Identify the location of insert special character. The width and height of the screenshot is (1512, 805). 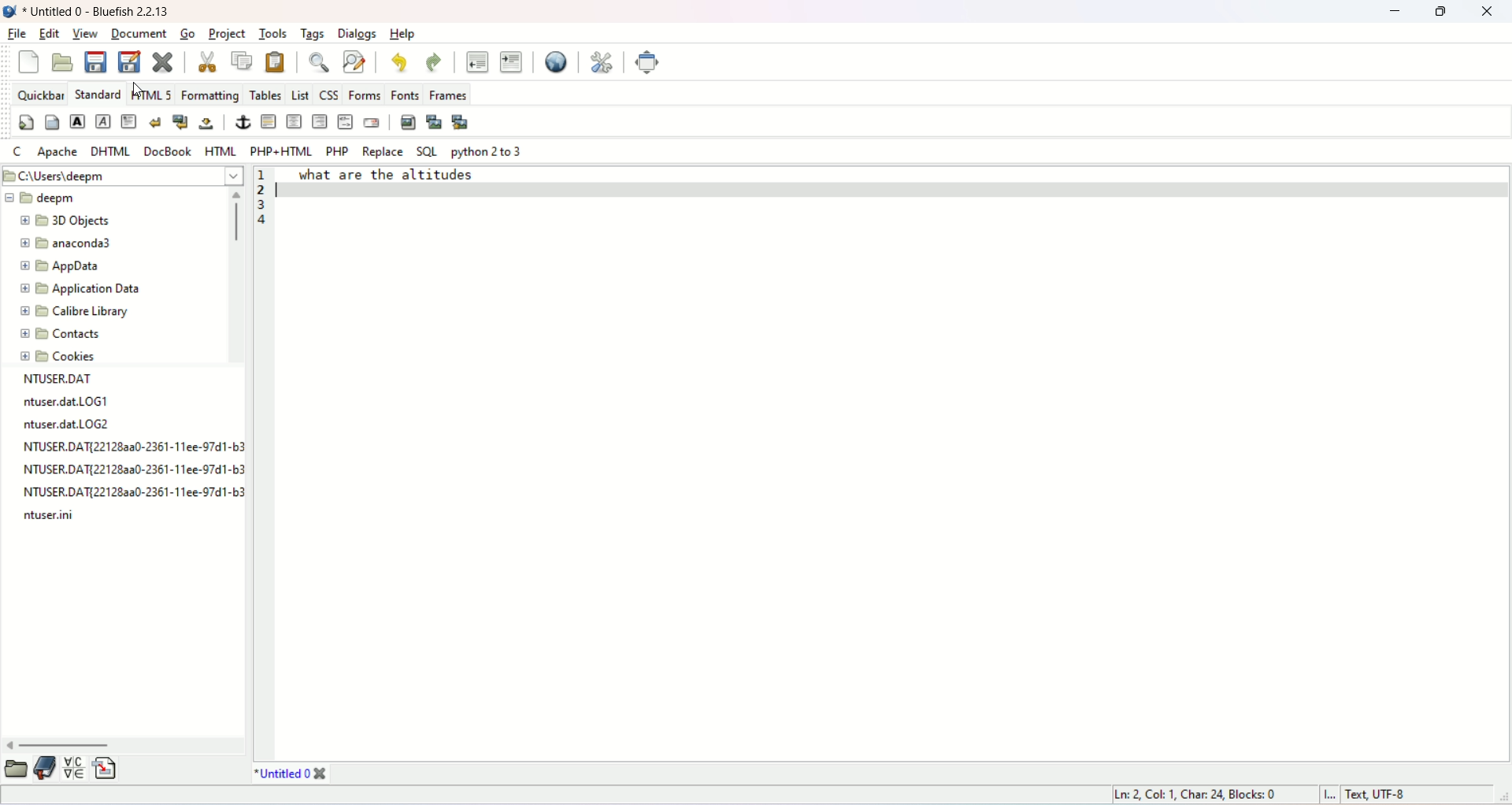
(74, 766).